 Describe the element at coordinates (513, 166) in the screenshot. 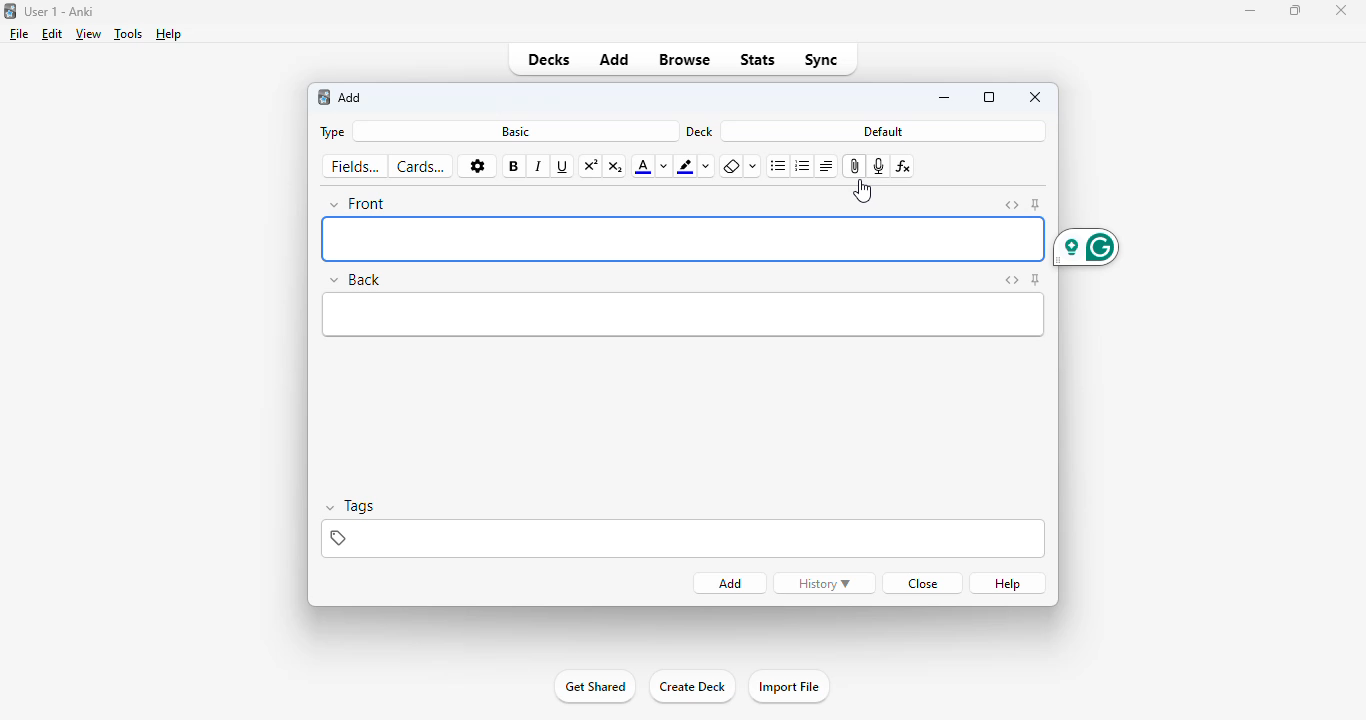

I see `bold` at that location.